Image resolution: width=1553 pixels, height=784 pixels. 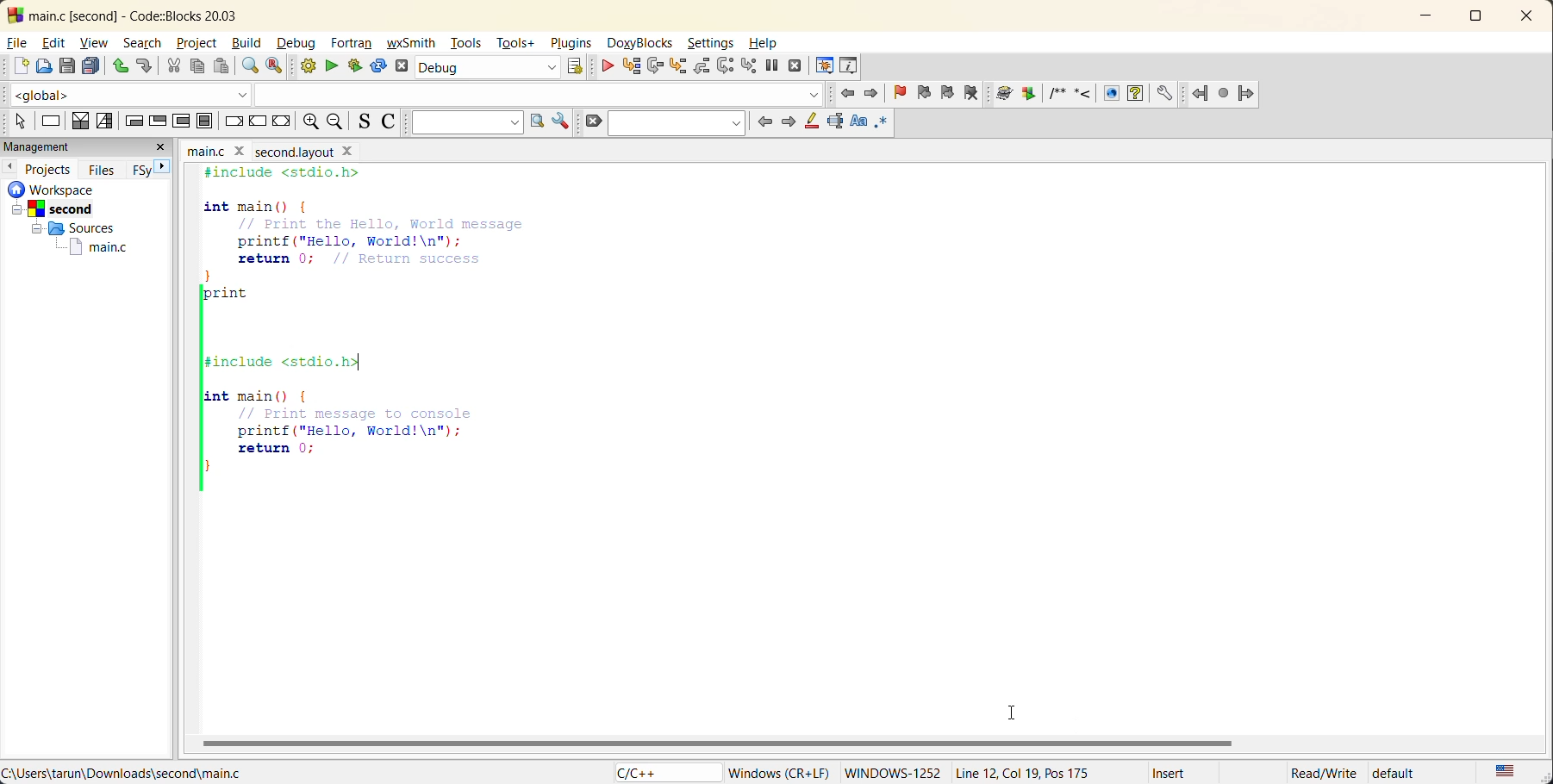 I want to click on next, so click(x=789, y=123).